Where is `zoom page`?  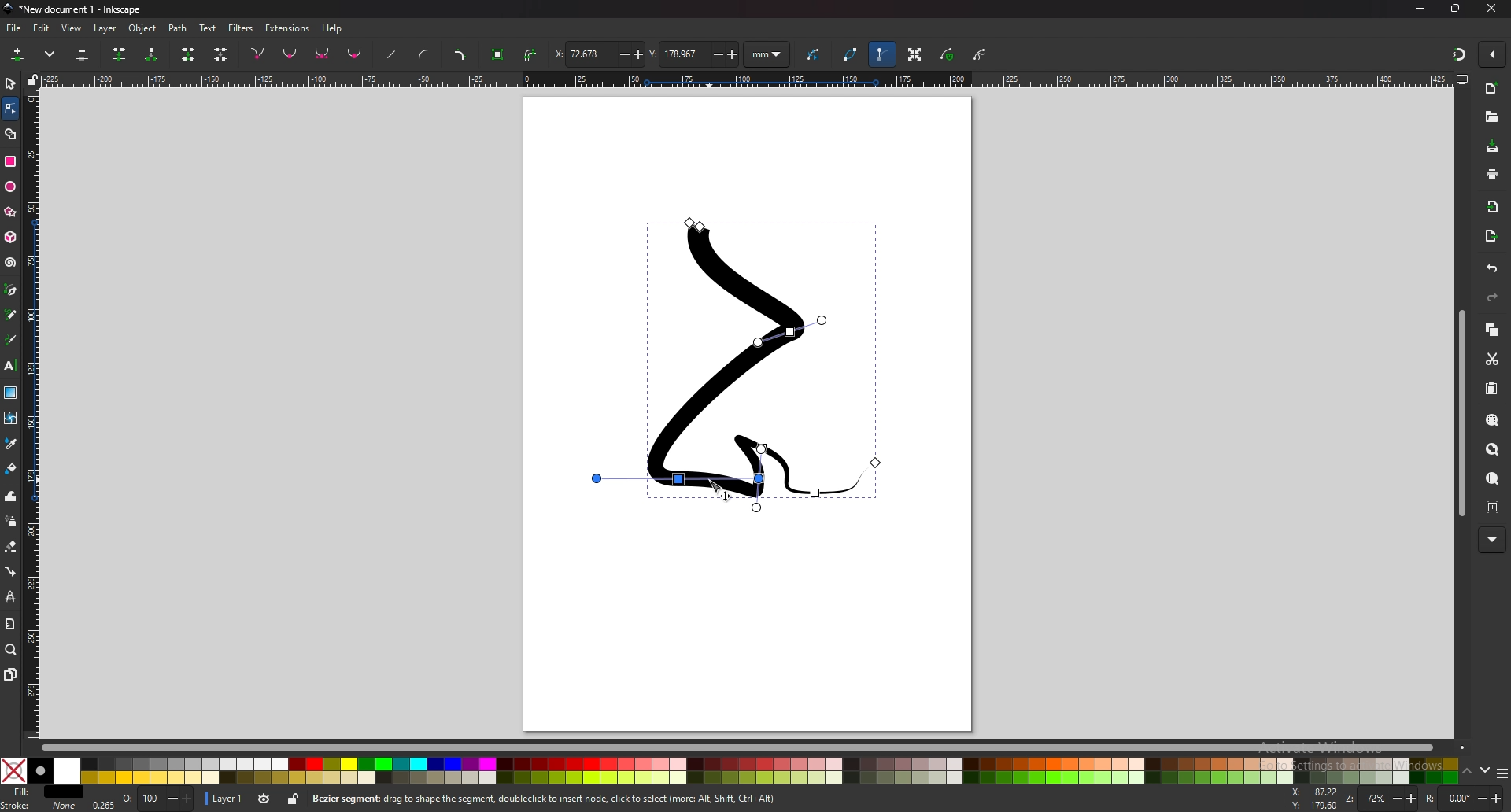 zoom page is located at coordinates (1493, 478).